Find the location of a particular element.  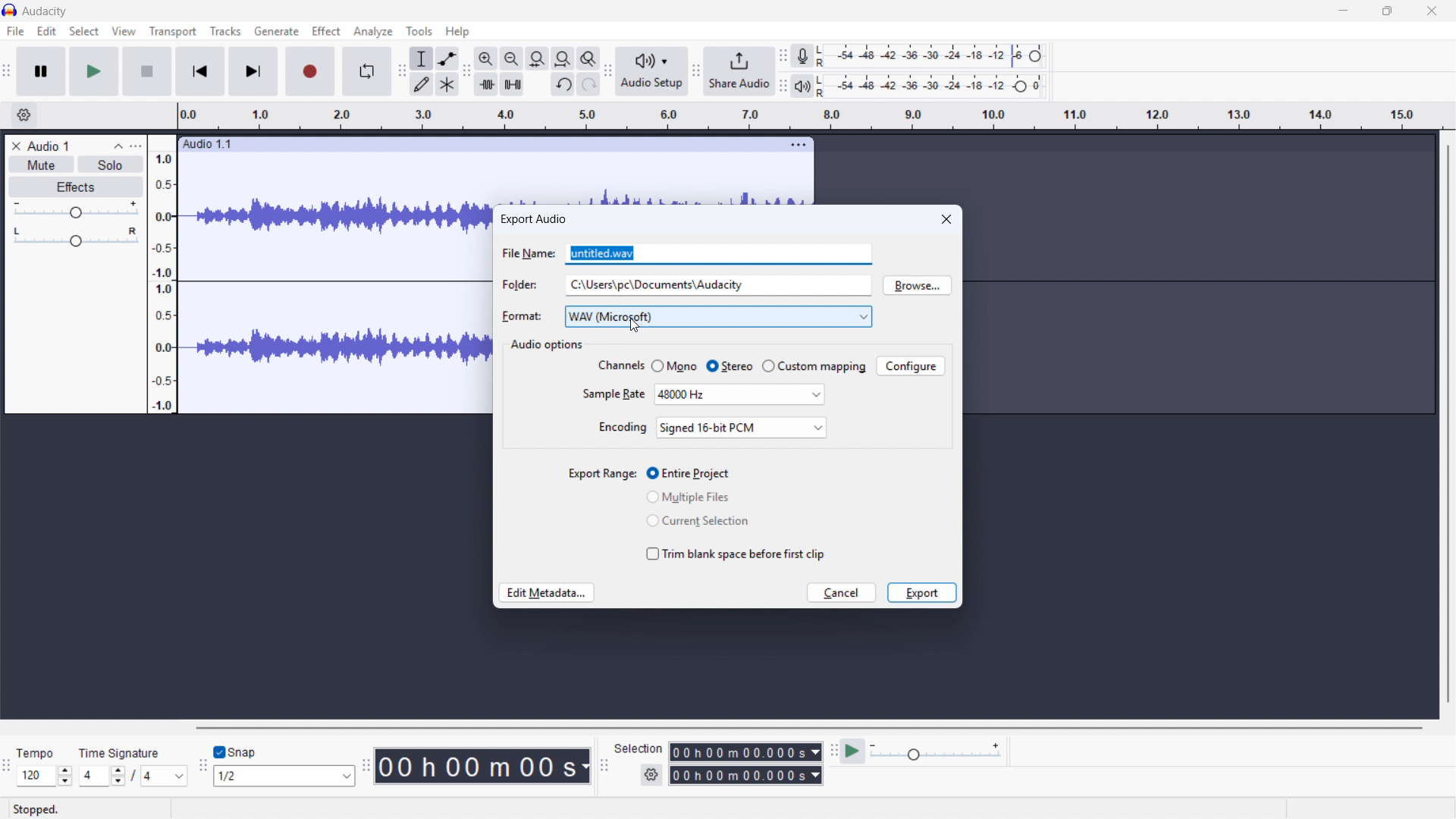

/ is located at coordinates (135, 775).